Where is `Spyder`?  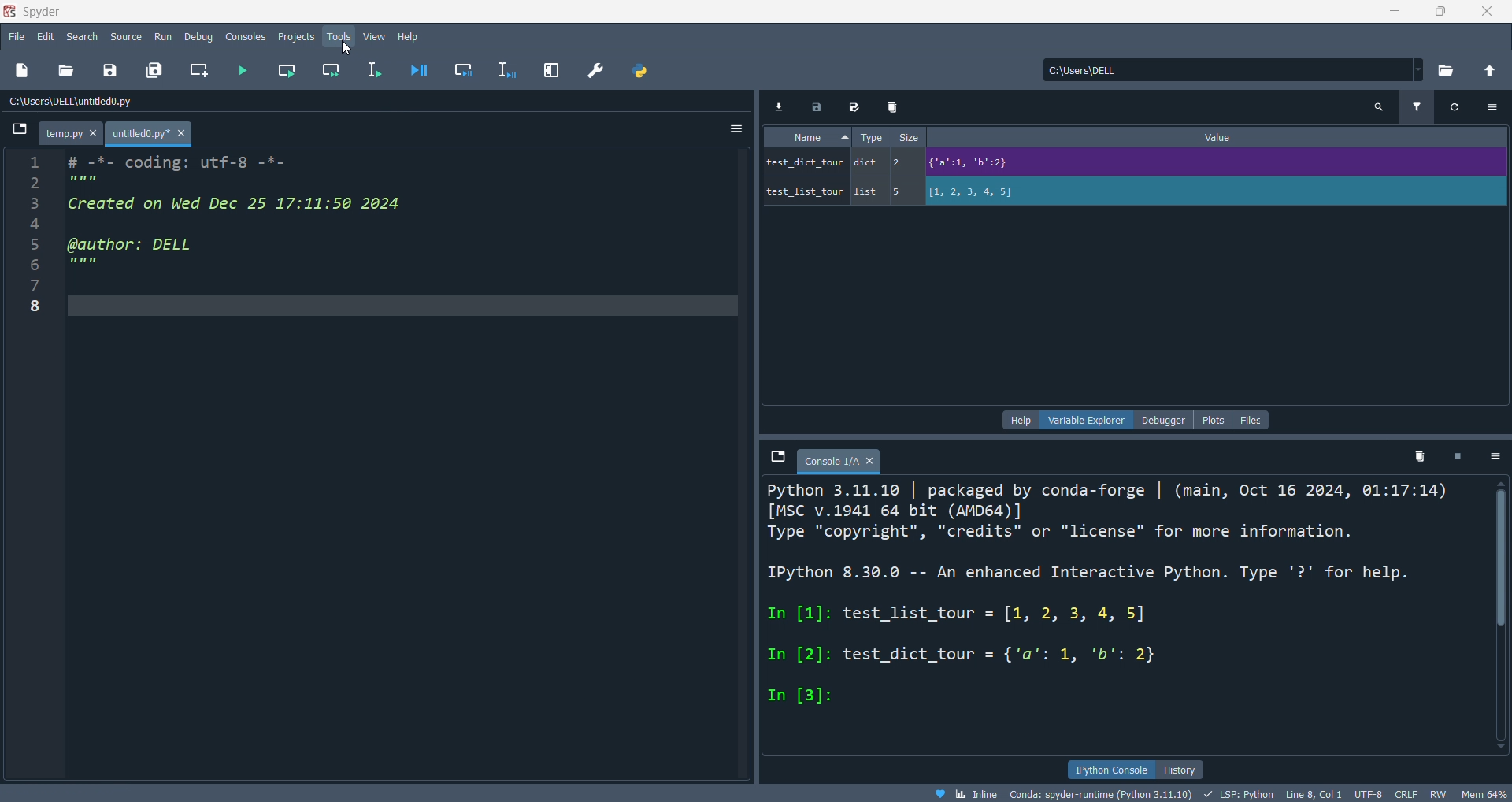 Spyder is located at coordinates (682, 11).